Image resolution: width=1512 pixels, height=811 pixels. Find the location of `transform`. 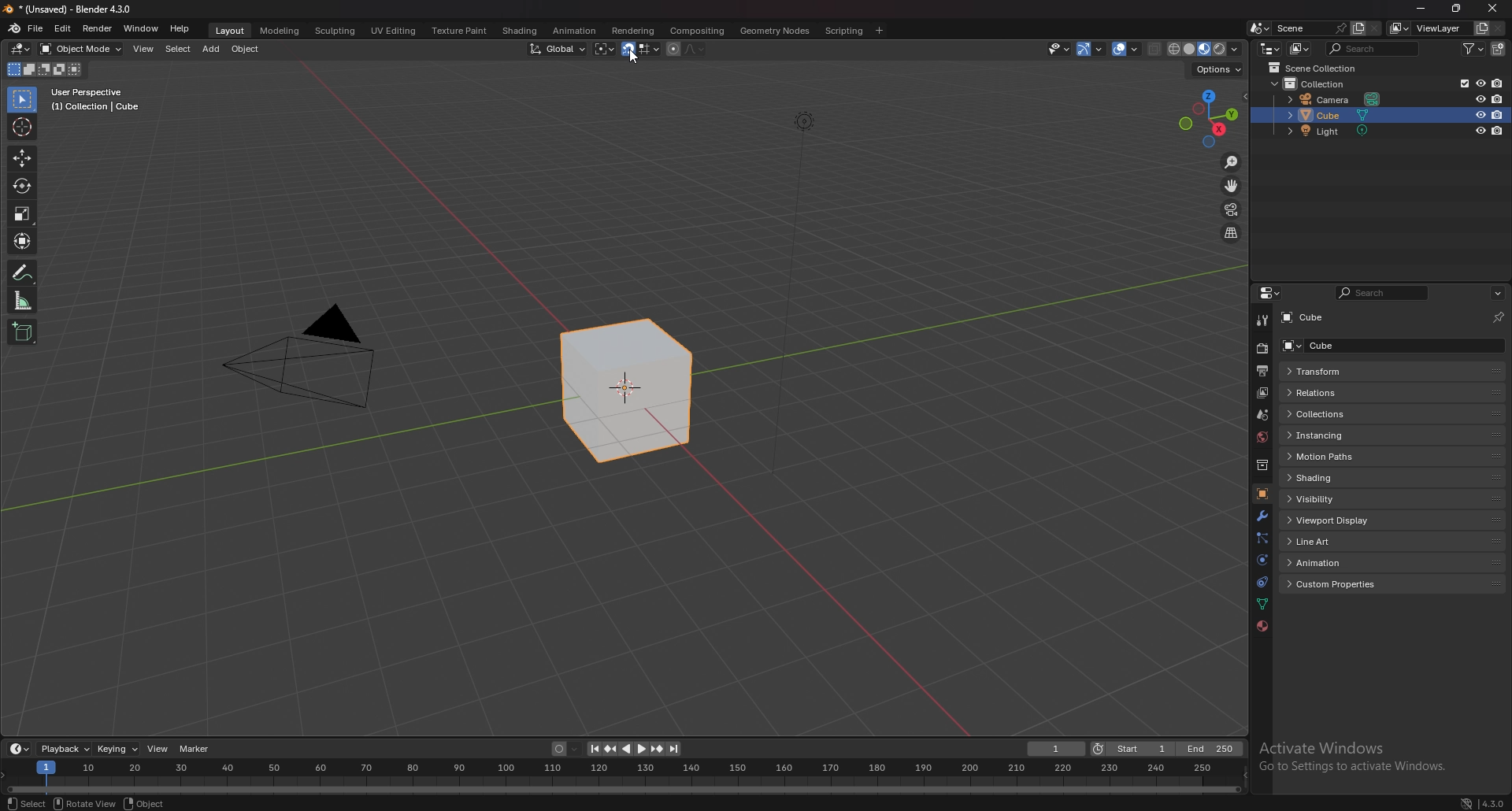

transform is located at coordinates (1334, 372).